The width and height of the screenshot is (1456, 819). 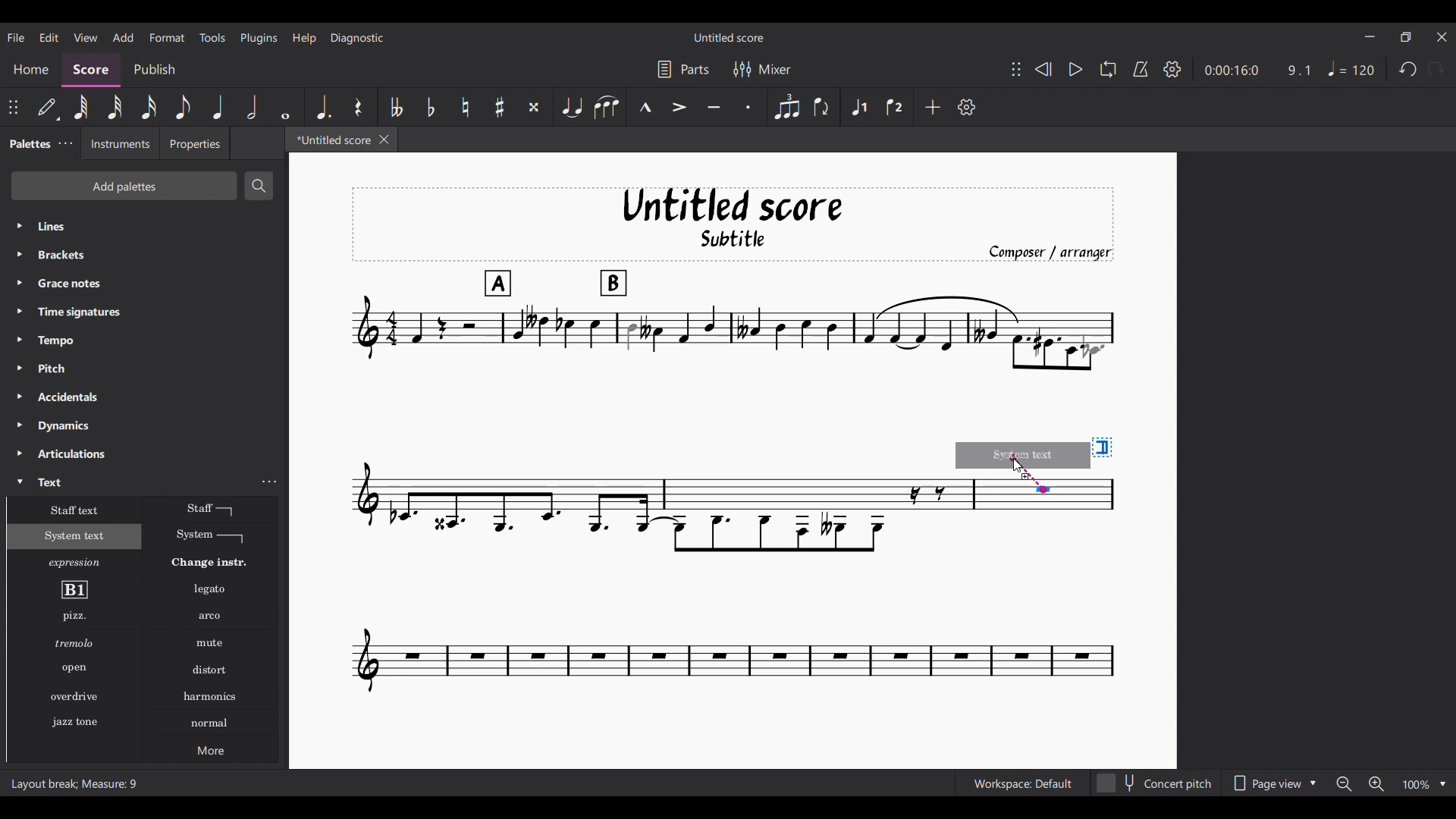 I want to click on Diagnostic menu, so click(x=358, y=38).